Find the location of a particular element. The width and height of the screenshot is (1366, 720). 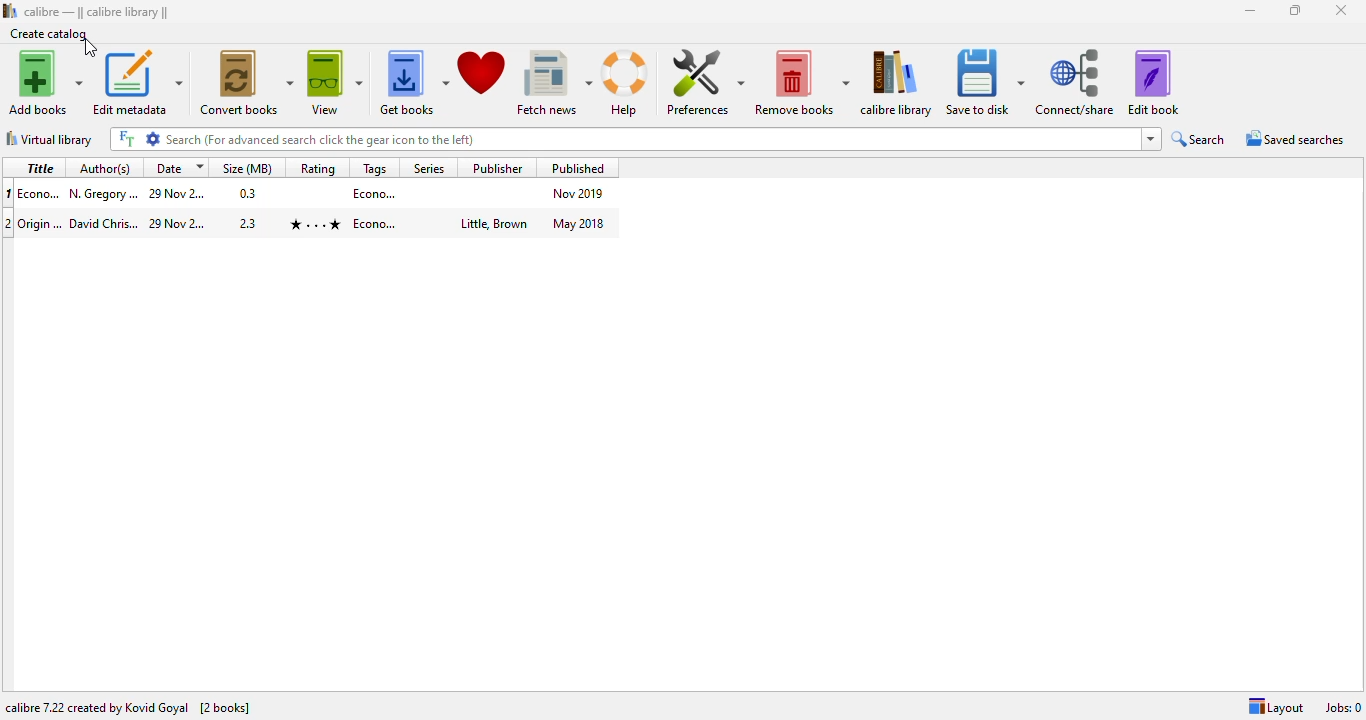

book 1 is located at coordinates (312, 193).